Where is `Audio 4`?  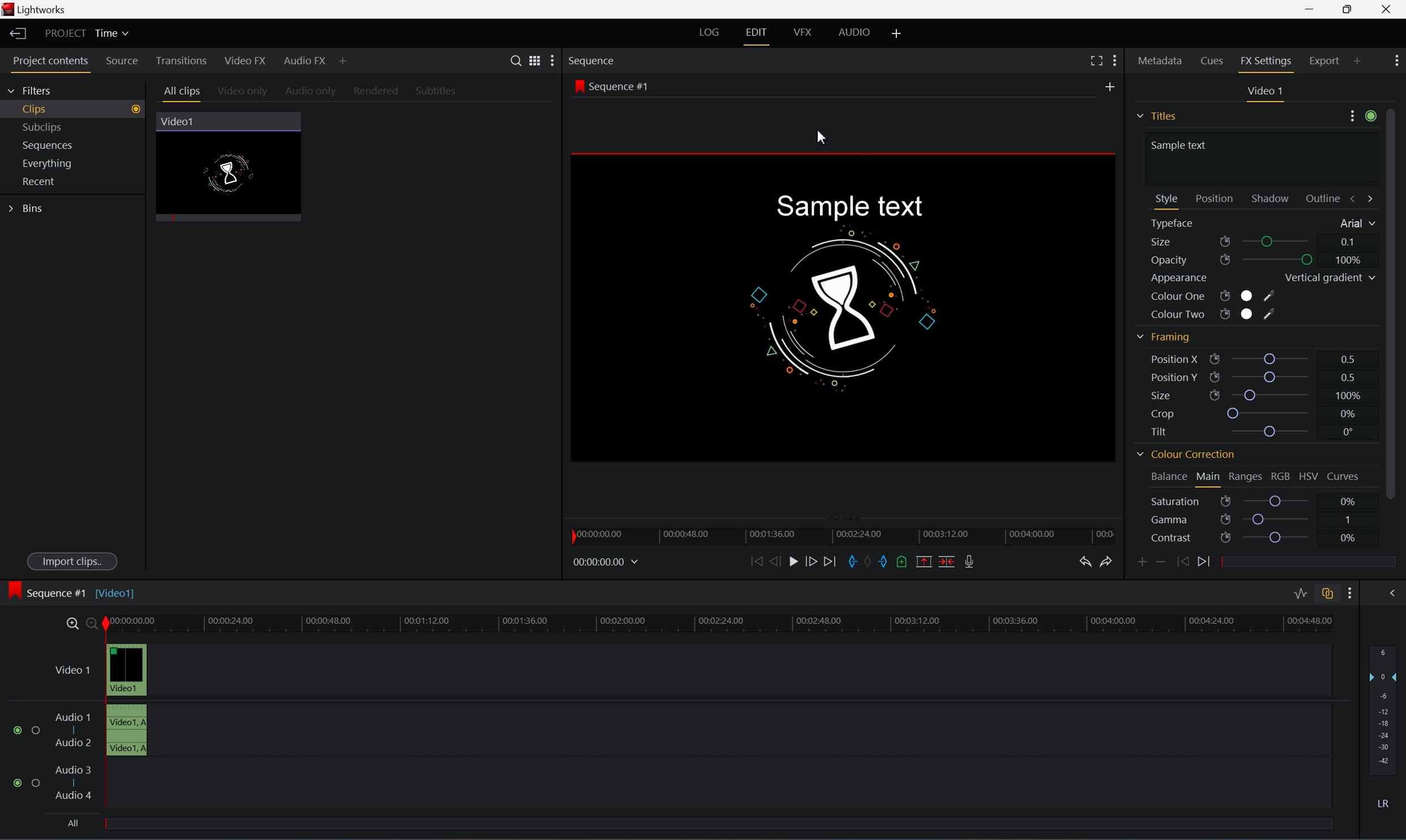
Audio 4 is located at coordinates (75, 796).